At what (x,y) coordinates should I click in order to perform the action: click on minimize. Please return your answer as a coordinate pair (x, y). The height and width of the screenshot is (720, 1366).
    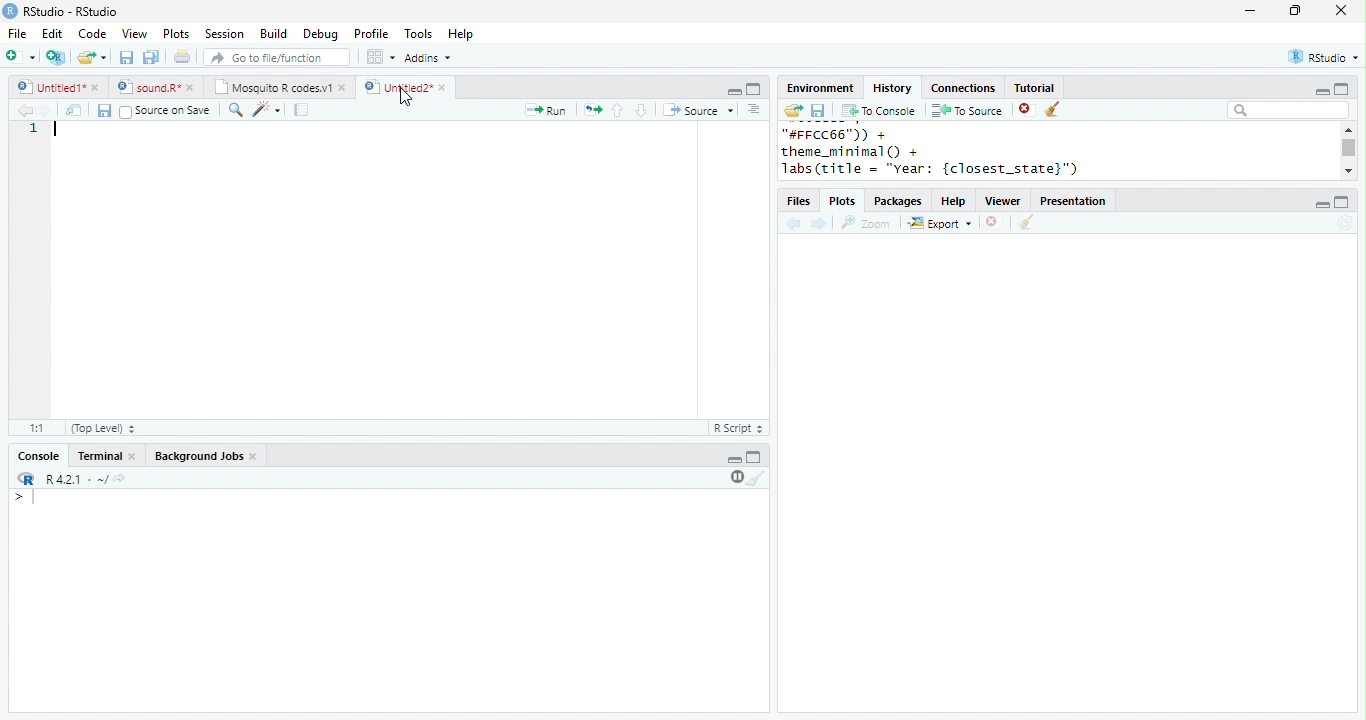
    Looking at the image, I should click on (1249, 11).